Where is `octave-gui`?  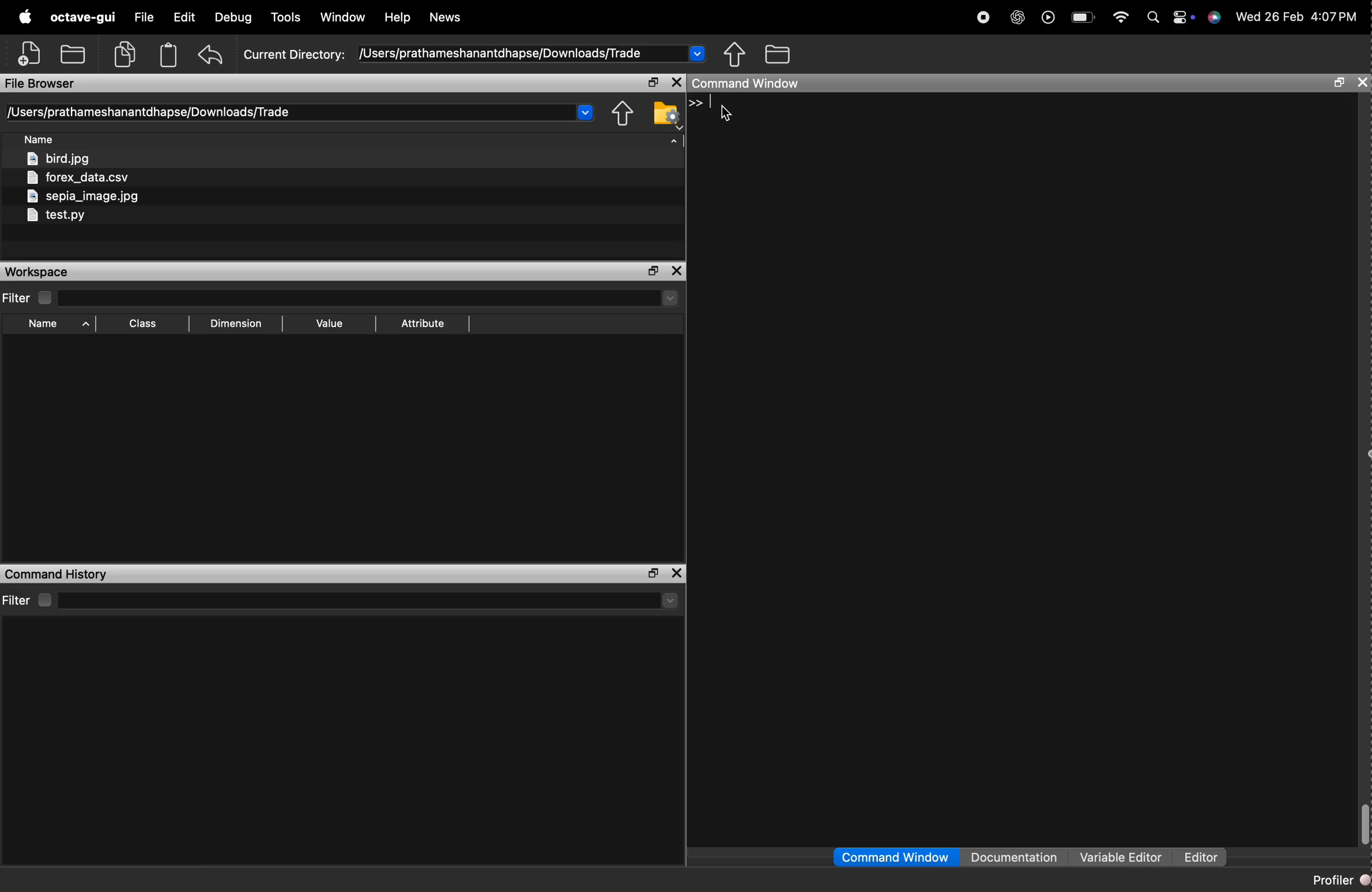
octave-gui is located at coordinates (84, 18).